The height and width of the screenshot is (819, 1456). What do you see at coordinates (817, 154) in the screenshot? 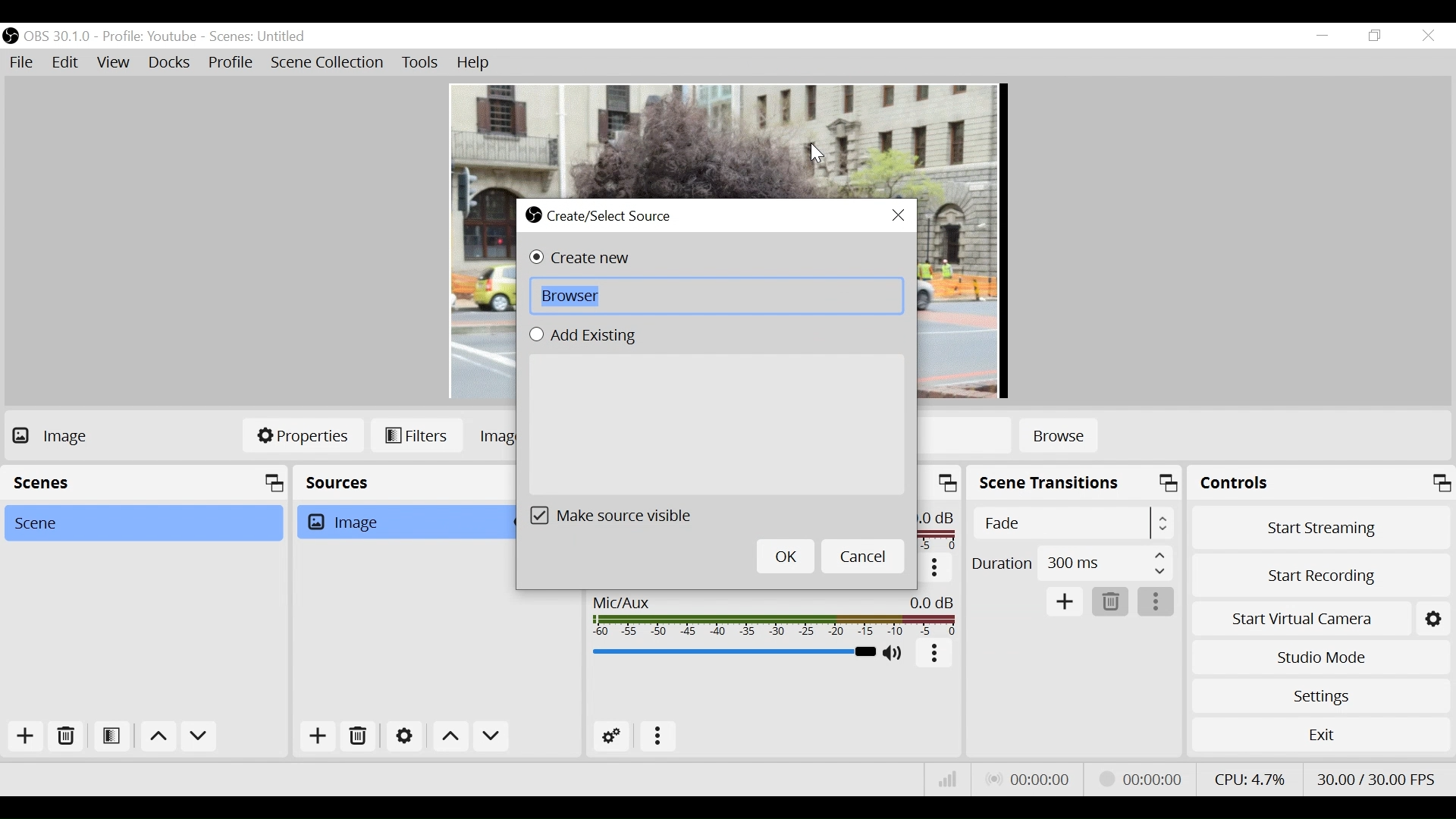
I see `Cursor` at bounding box center [817, 154].